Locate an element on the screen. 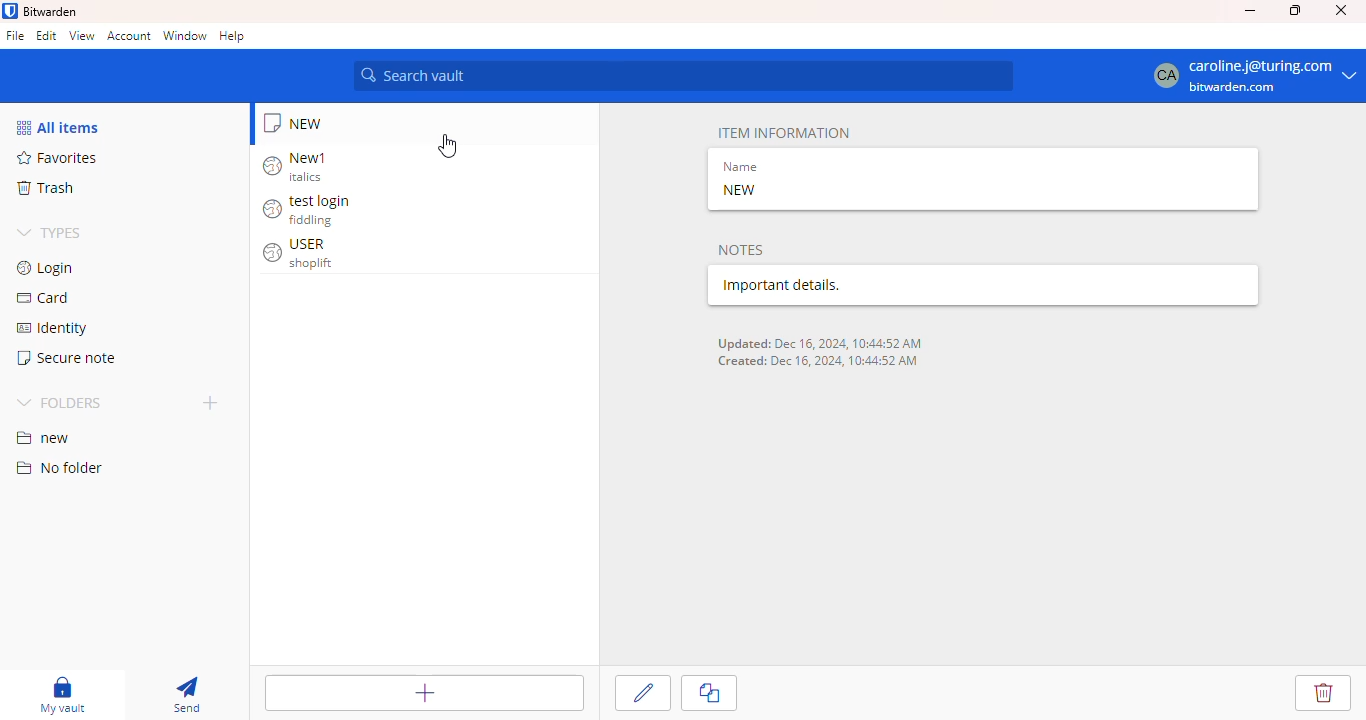  item information is located at coordinates (785, 132).